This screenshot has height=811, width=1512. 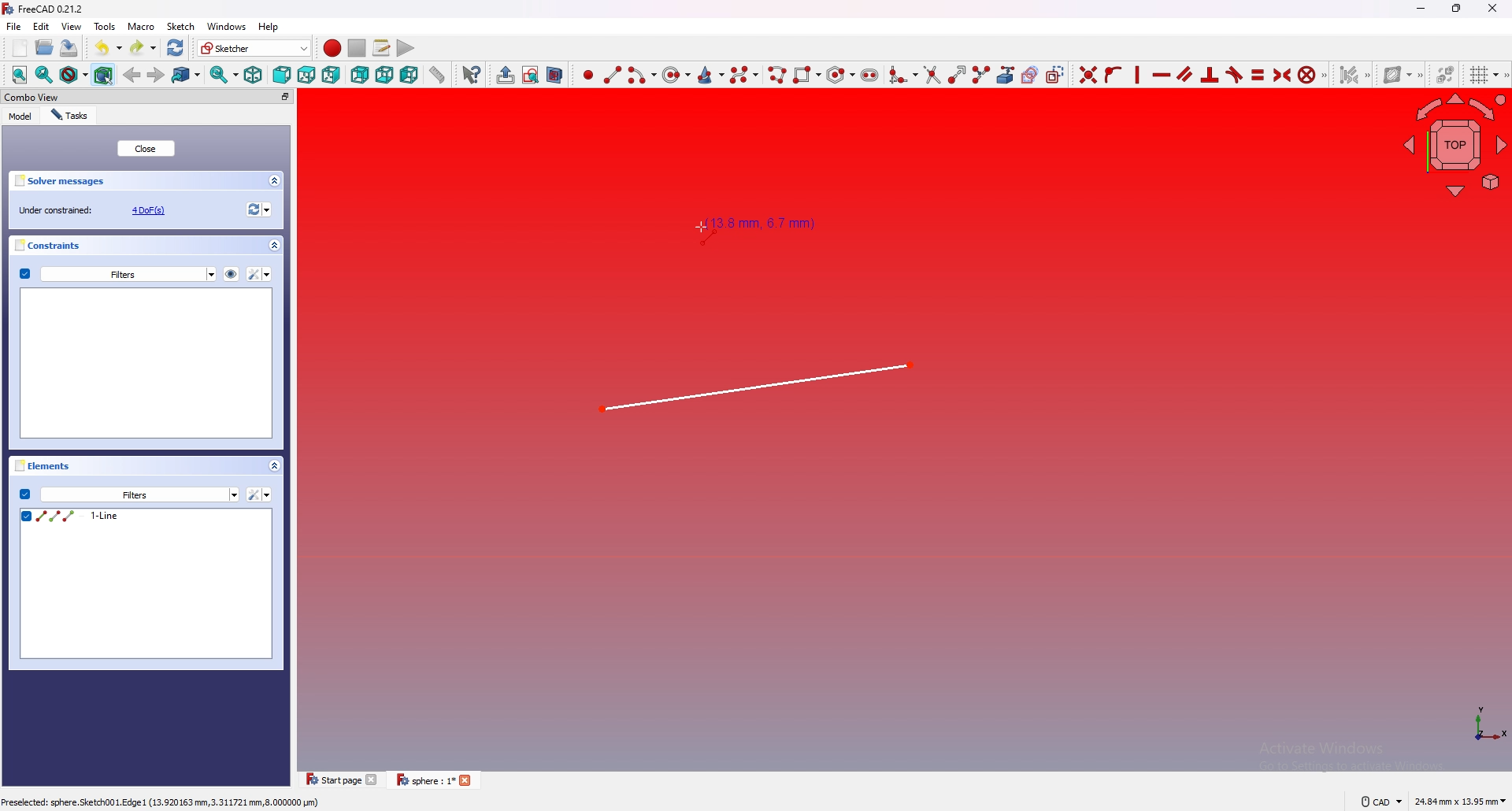 I want to click on Marco, so click(x=142, y=27).